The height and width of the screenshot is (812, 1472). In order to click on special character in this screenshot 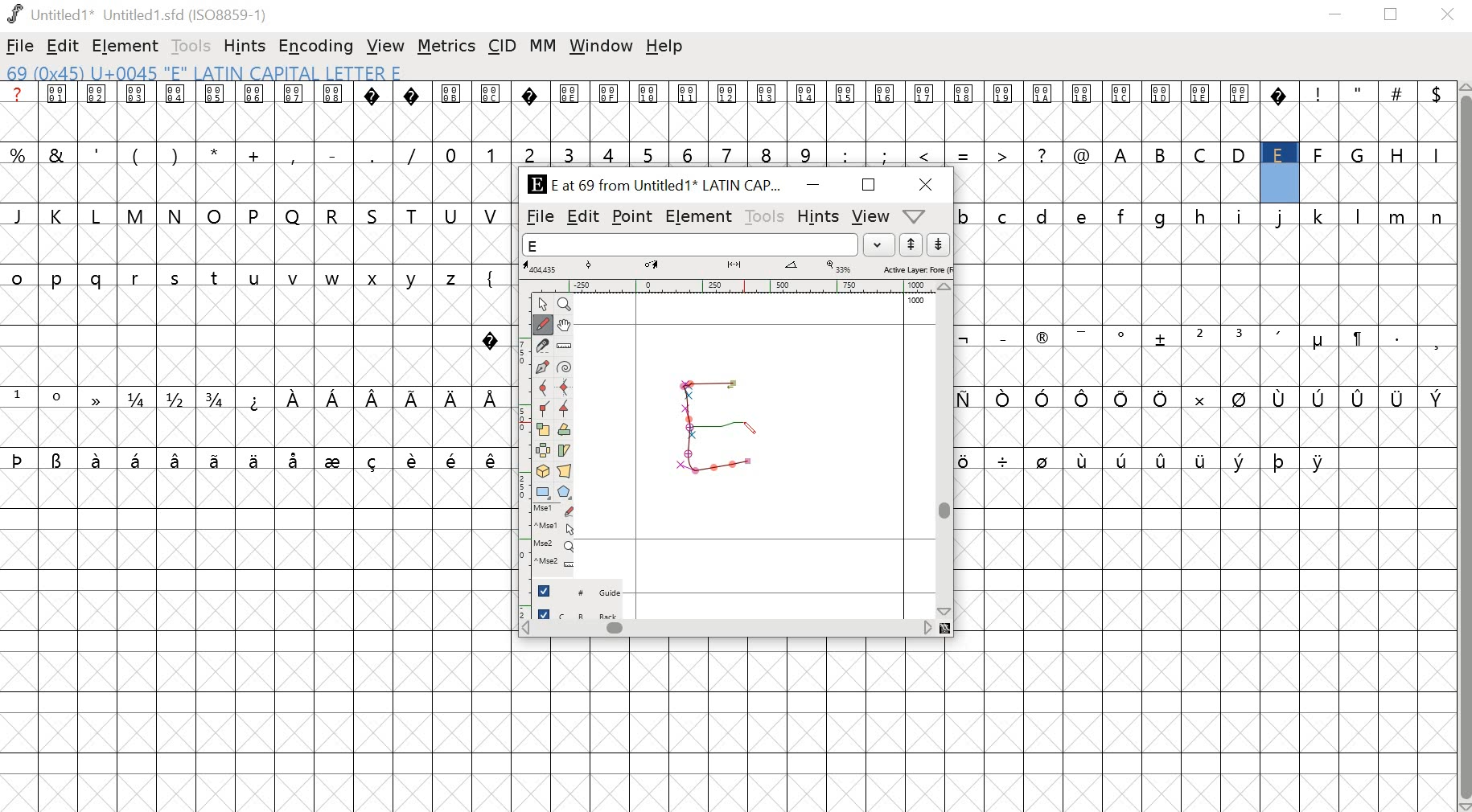, I will do `click(493, 340)`.